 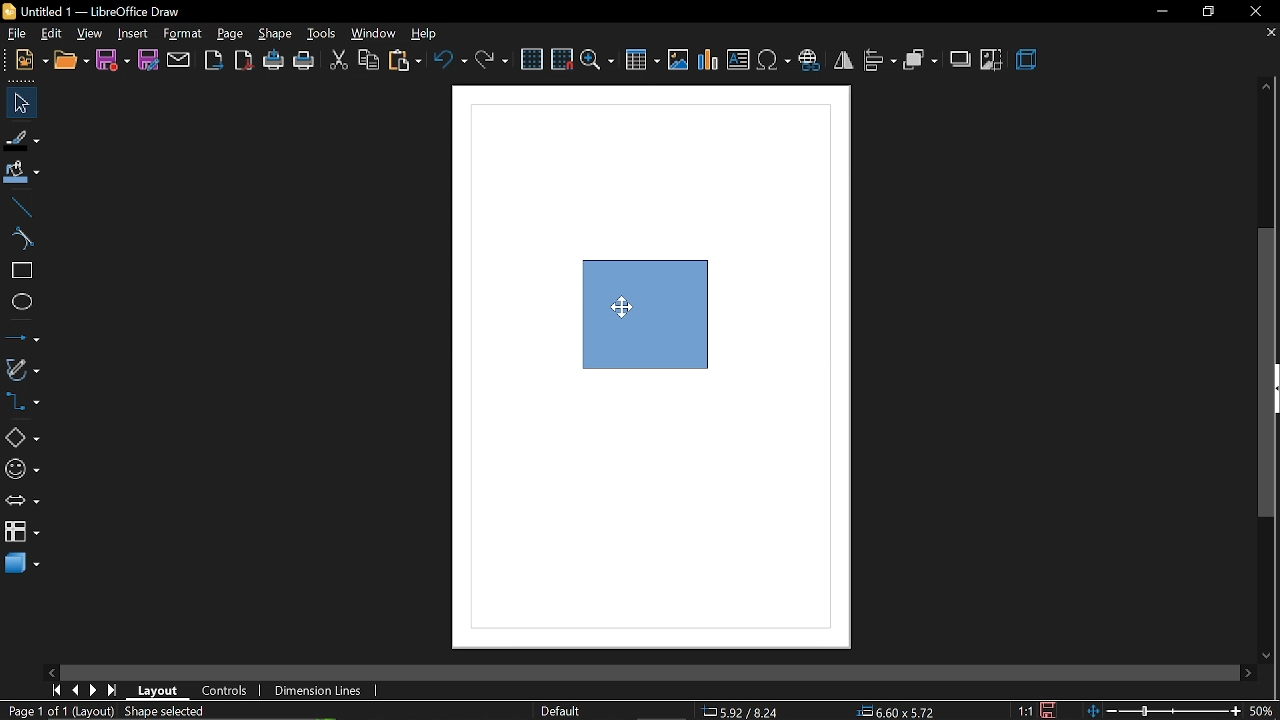 What do you see at coordinates (642, 61) in the screenshot?
I see `Insert table` at bounding box center [642, 61].